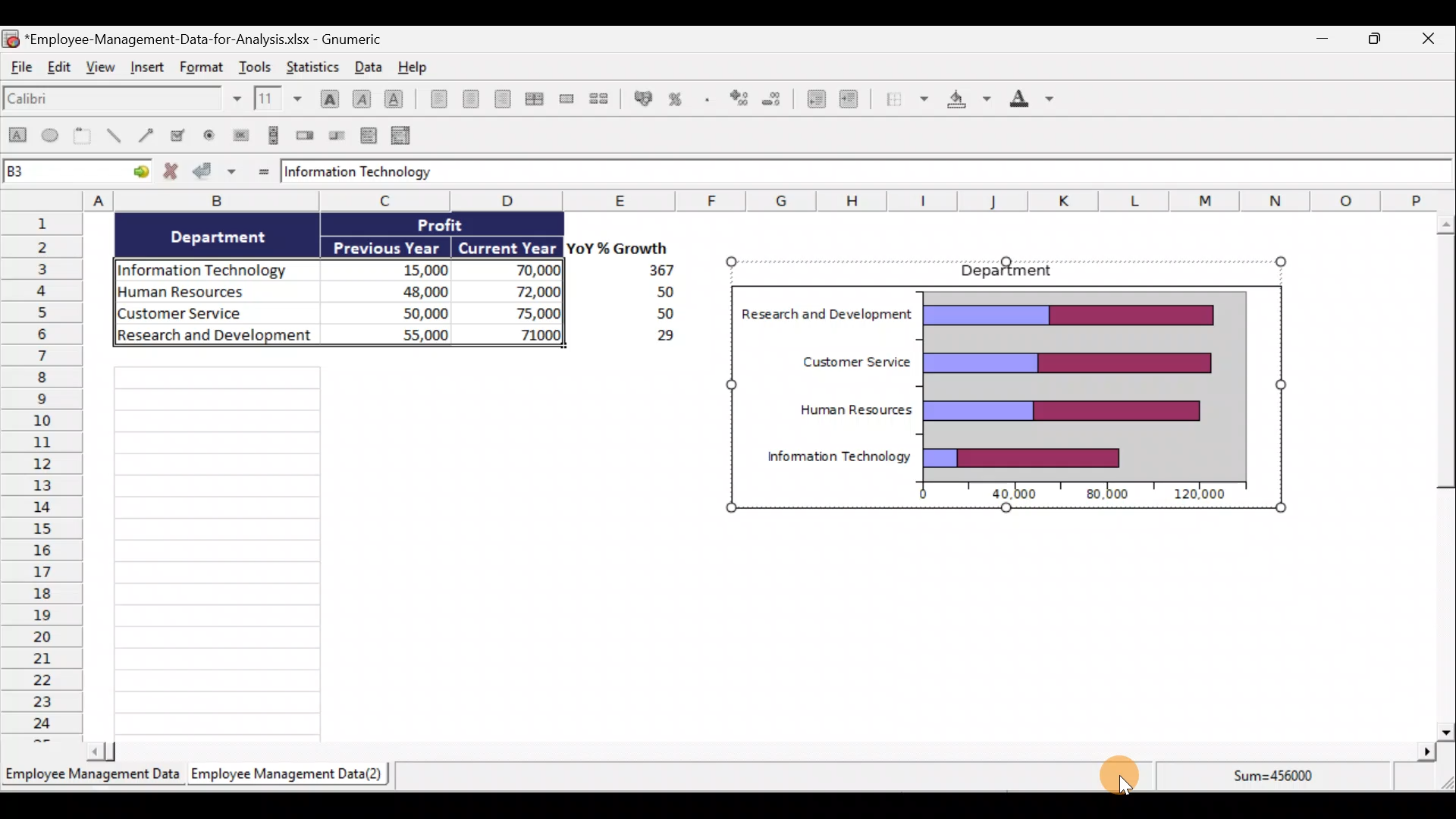 The width and height of the screenshot is (1456, 819). What do you see at coordinates (1084, 382) in the screenshot?
I see `Chart` at bounding box center [1084, 382].